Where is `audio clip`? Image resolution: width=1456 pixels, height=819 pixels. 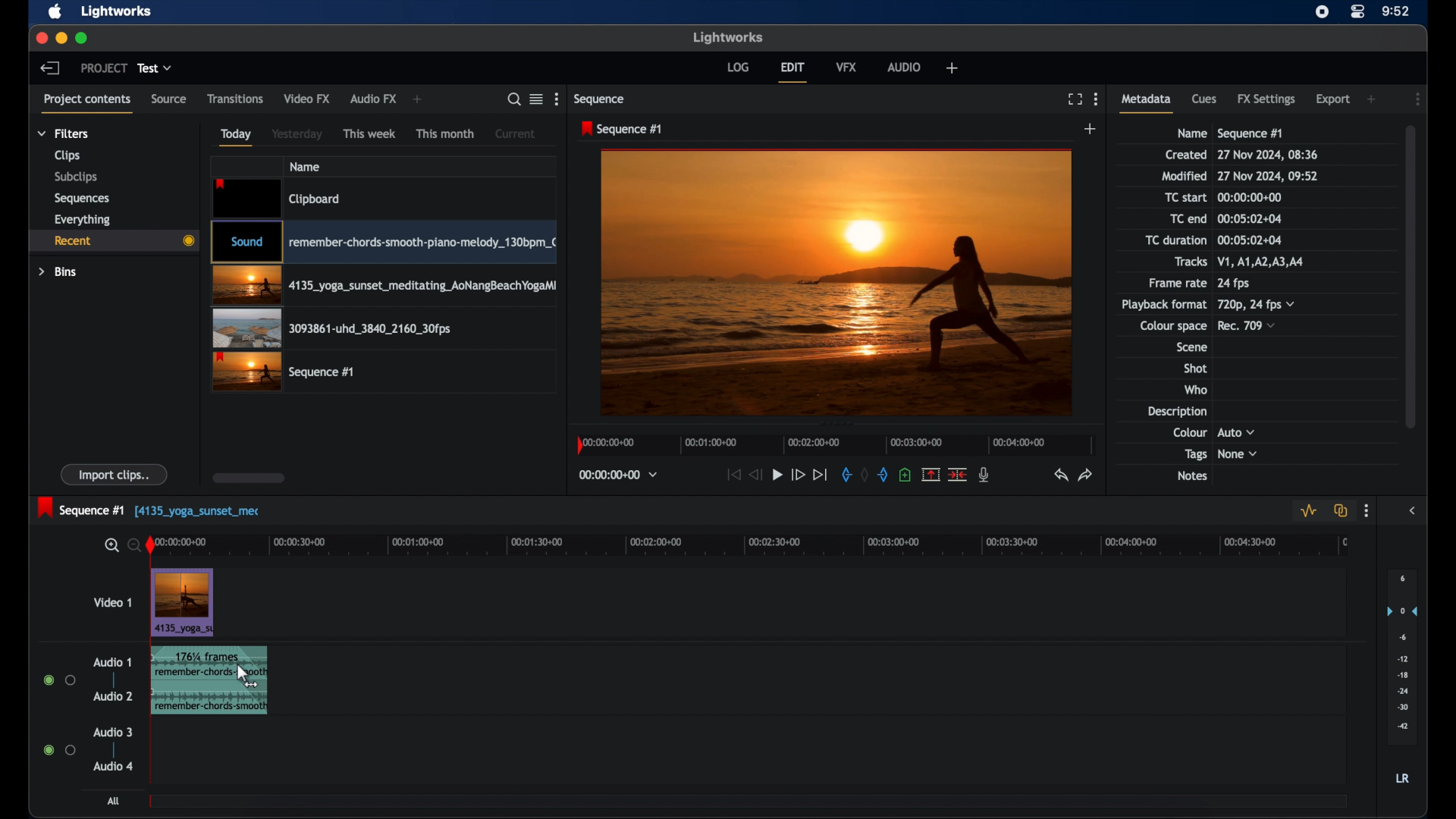
audio clip is located at coordinates (188, 691).